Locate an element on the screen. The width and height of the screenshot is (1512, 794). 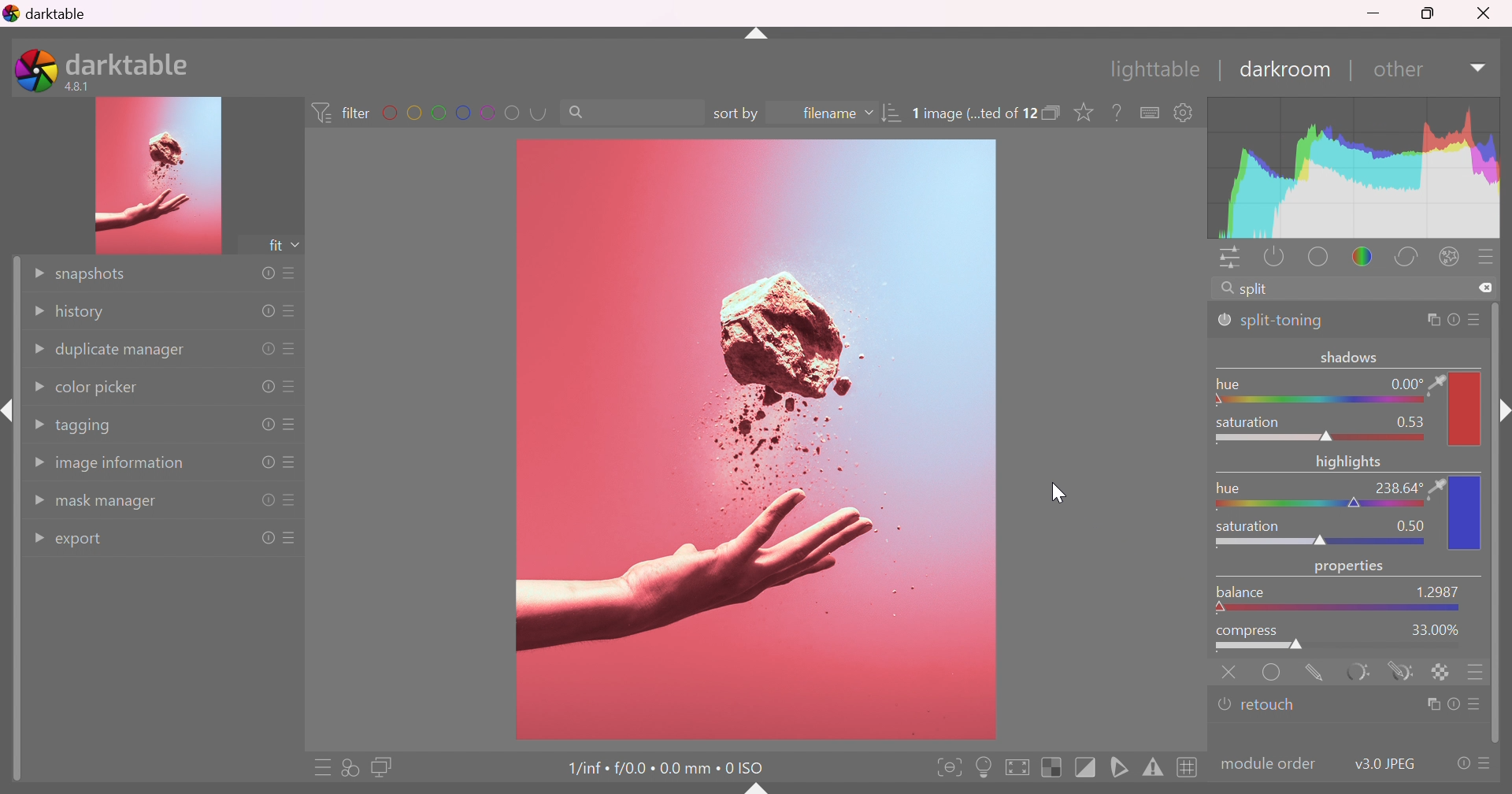
Drop Down is located at coordinates (1478, 69).